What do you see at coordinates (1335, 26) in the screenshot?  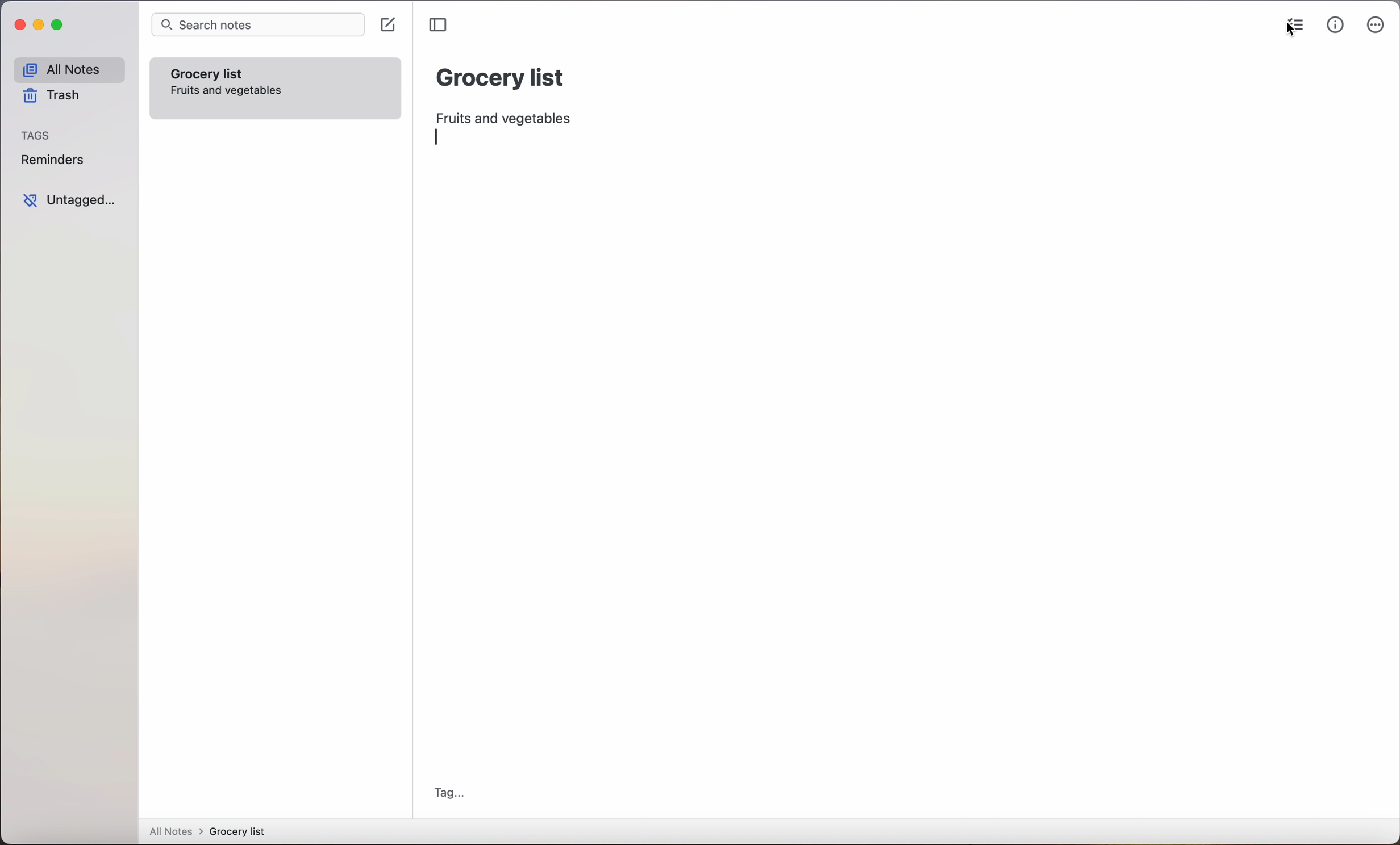 I see `metrics` at bounding box center [1335, 26].